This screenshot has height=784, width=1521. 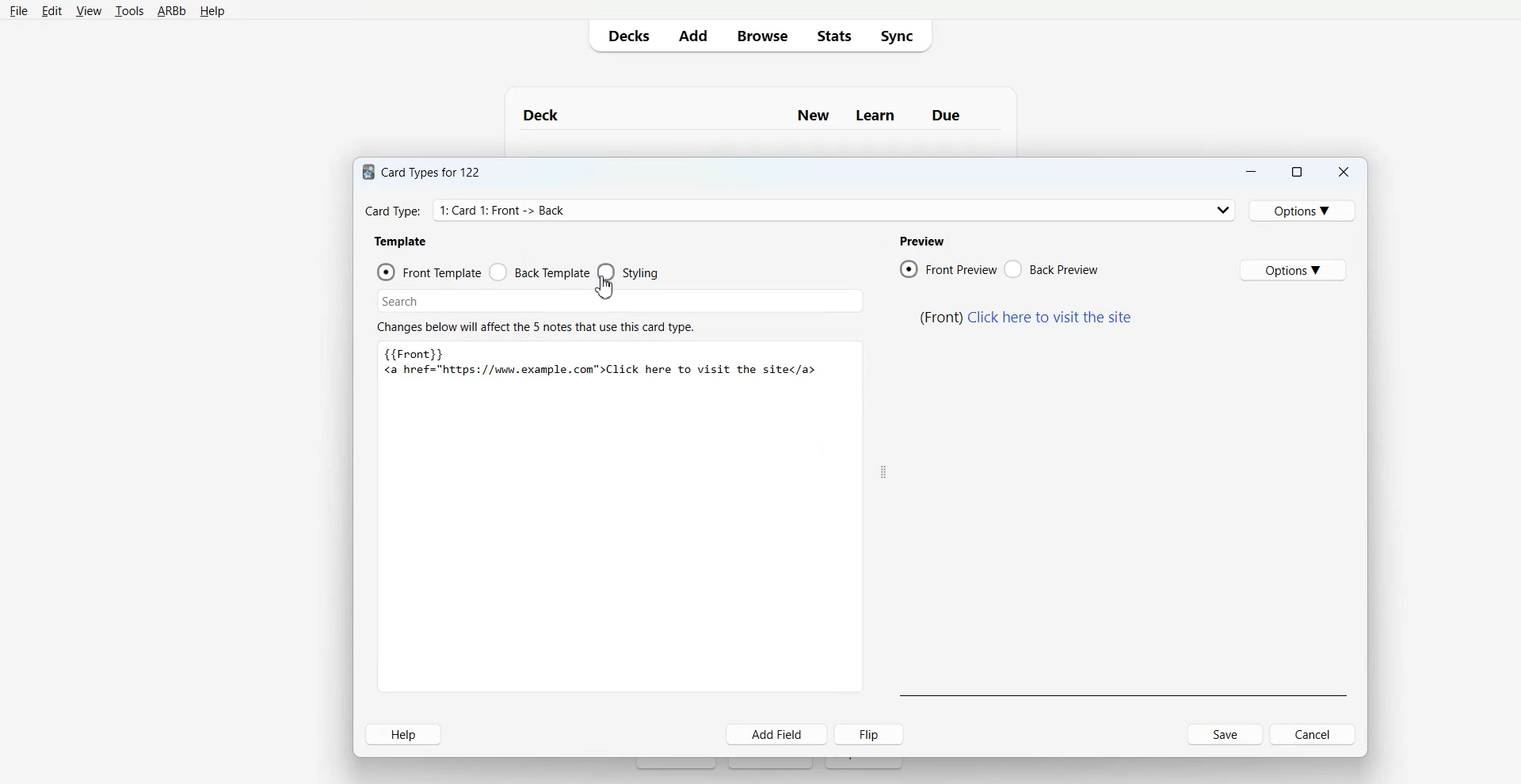 I want to click on Stats, so click(x=836, y=35).